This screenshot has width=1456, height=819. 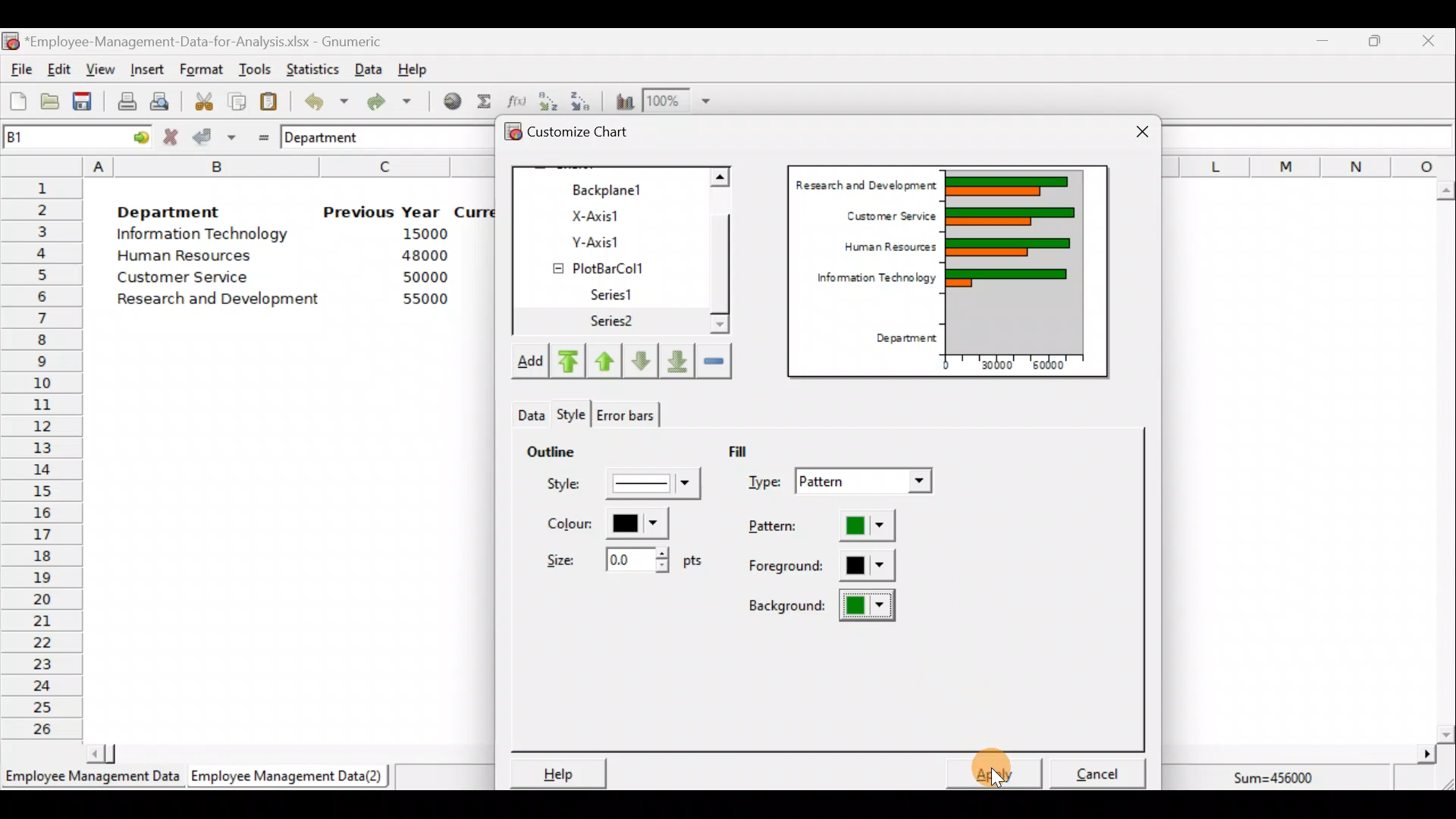 What do you see at coordinates (268, 101) in the screenshot?
I see `Paste the clipboard` at bounding box center [268, 101].